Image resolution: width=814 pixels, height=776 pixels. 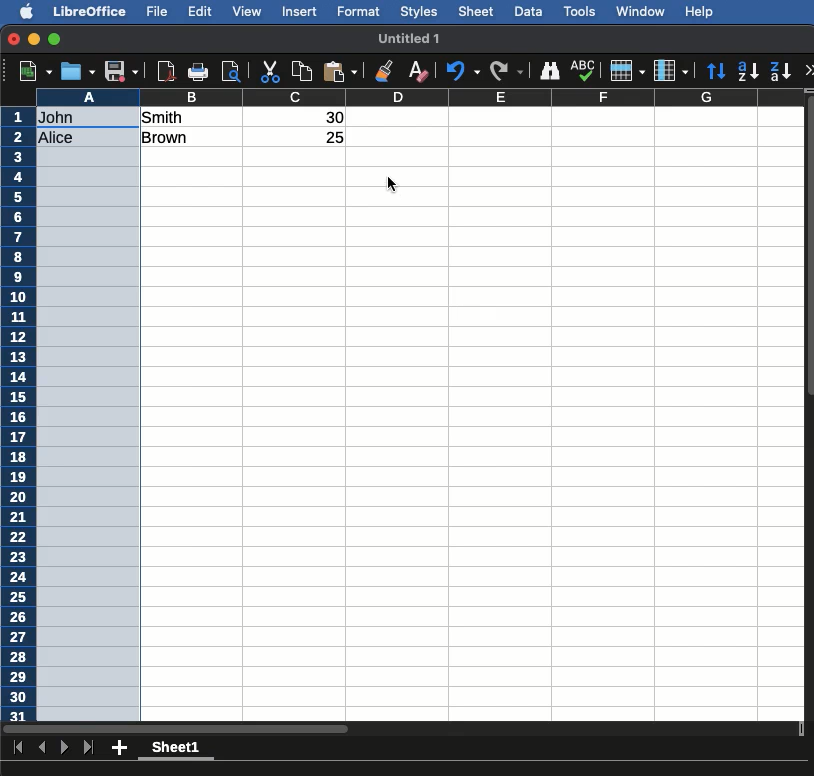 What do you see at coordinates (510, 68) in the screenshot?
I see `Redo` at bounding box center [510, 68].